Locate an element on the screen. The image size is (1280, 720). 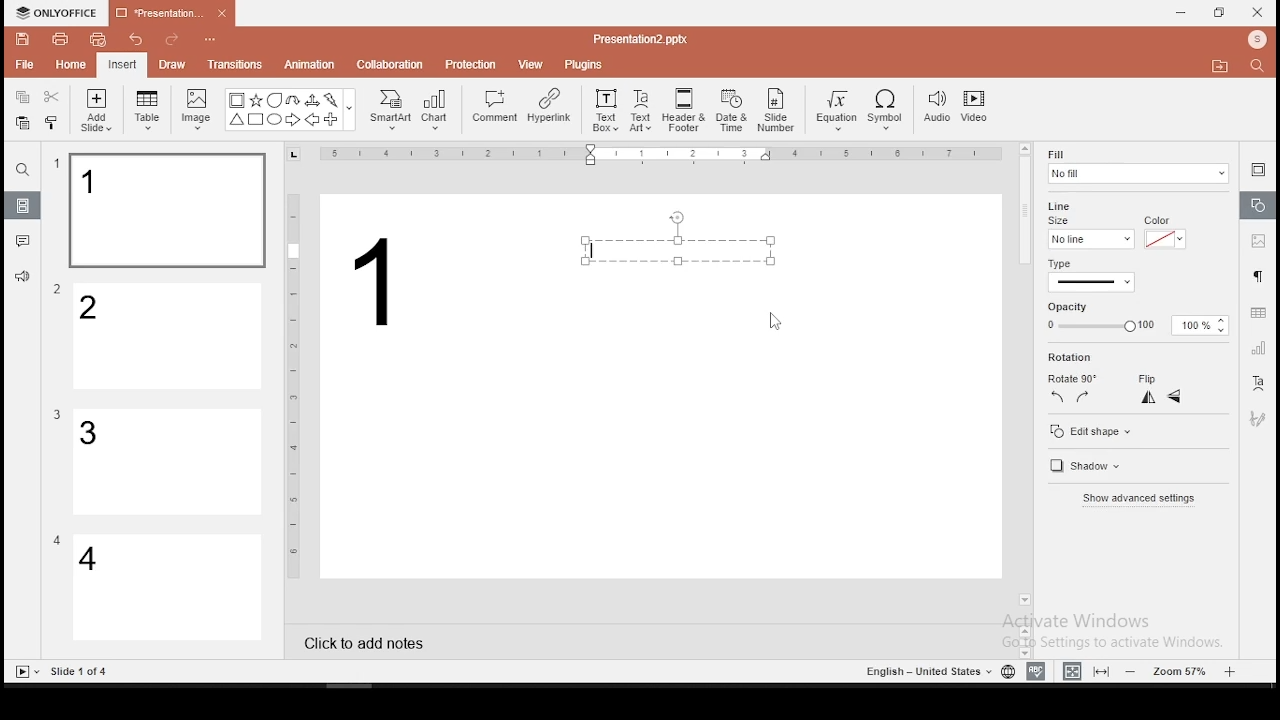
plugins is located at coordinates (585, 61).